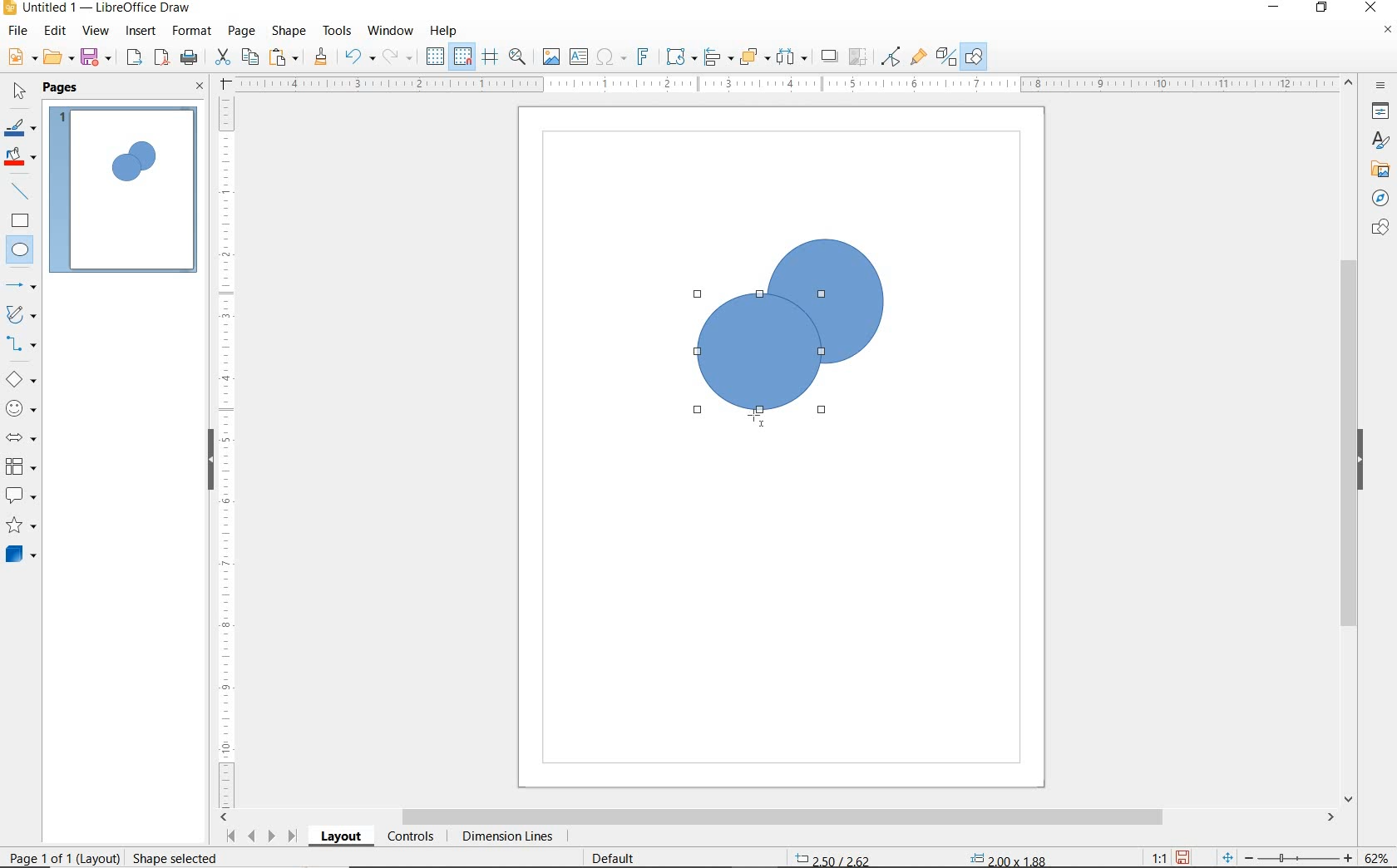 The height and width of the screenshot is (868, 1397). I want to click on DRAWN CIRCLE, so click(824, 300).